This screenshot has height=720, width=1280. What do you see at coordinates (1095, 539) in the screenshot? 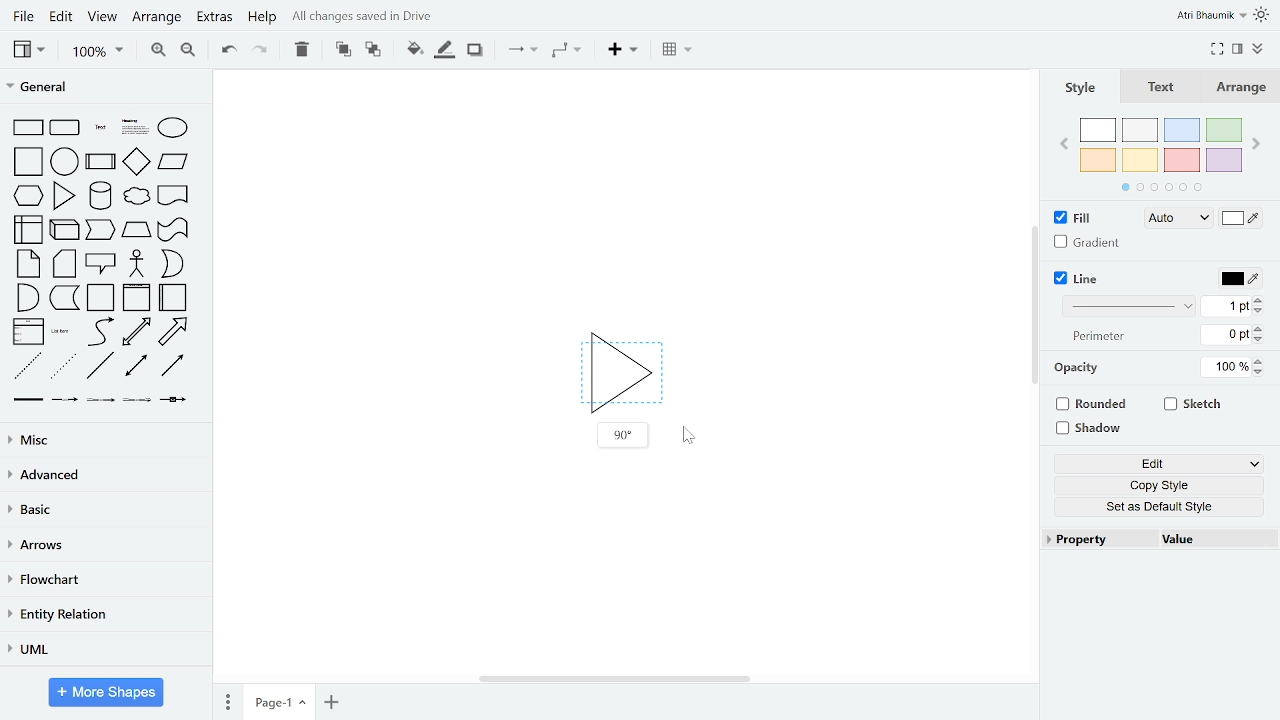
I see `property` at bounding box center [1095, 539].